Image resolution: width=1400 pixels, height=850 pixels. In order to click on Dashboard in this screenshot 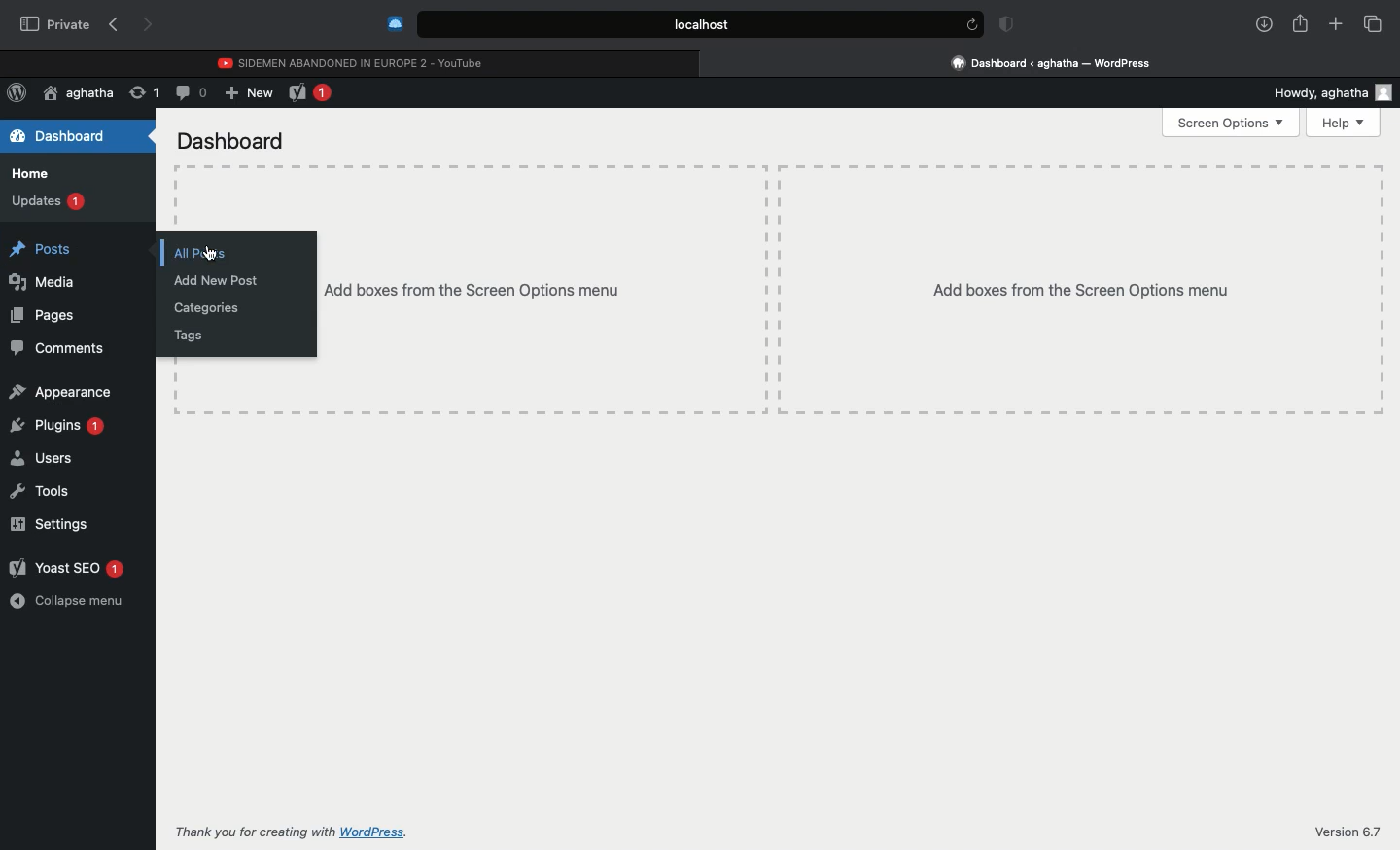, I will do `click(60, 137)`.